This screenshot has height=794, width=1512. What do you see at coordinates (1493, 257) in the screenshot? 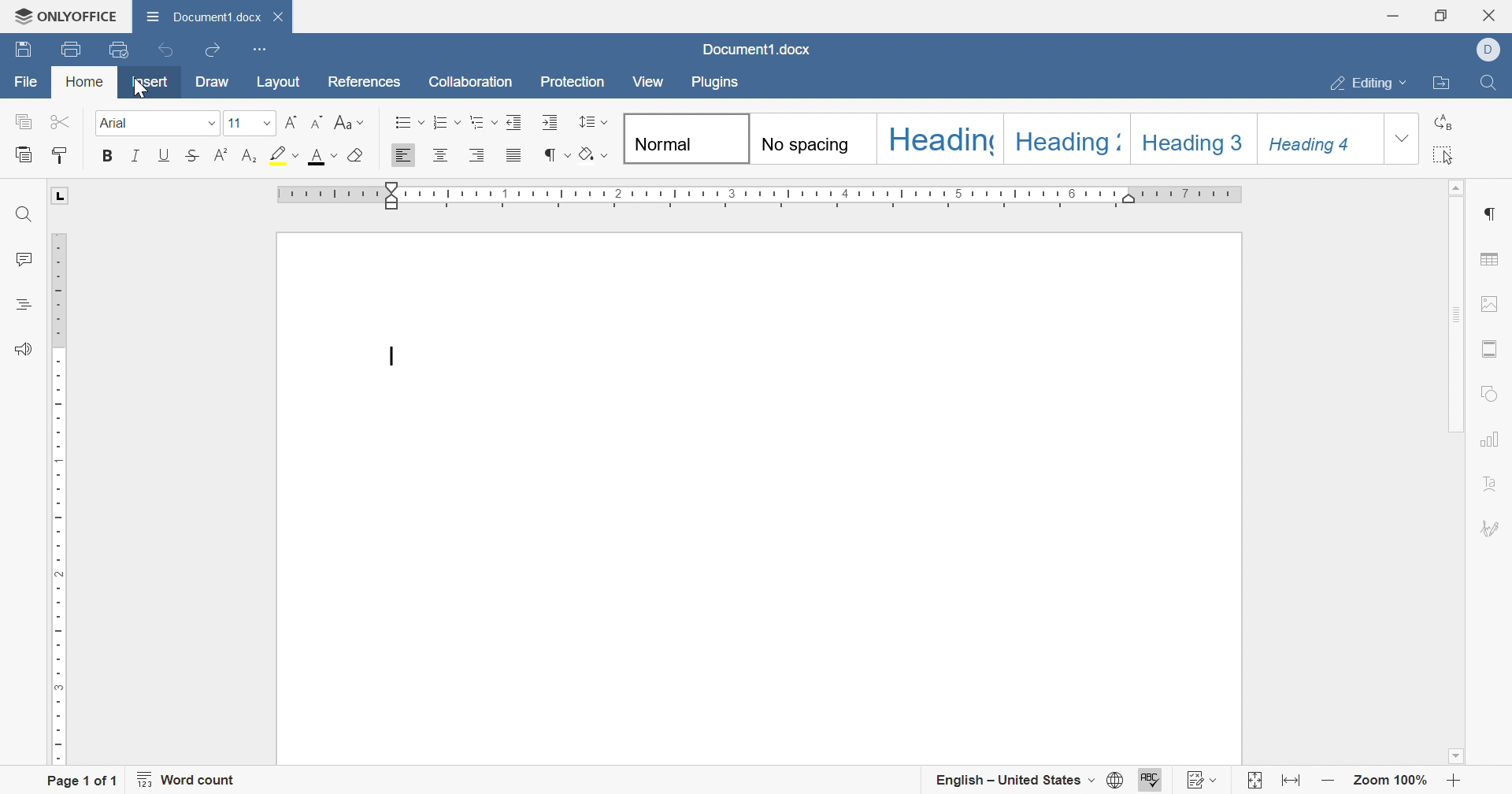
I see `Table settings` at bounding box center [1493, 257].